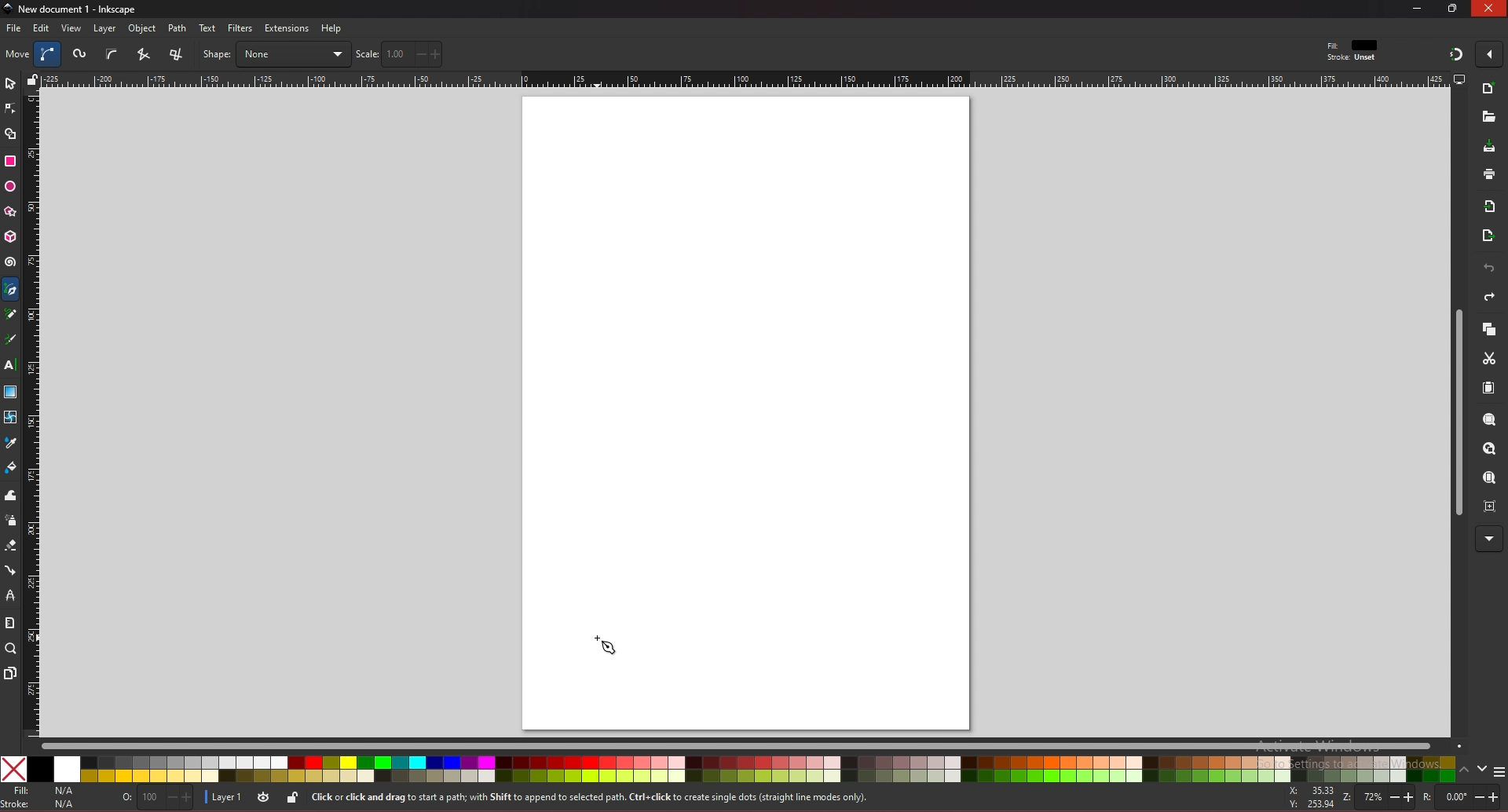  I want to click on zoom, so click(11, 648).